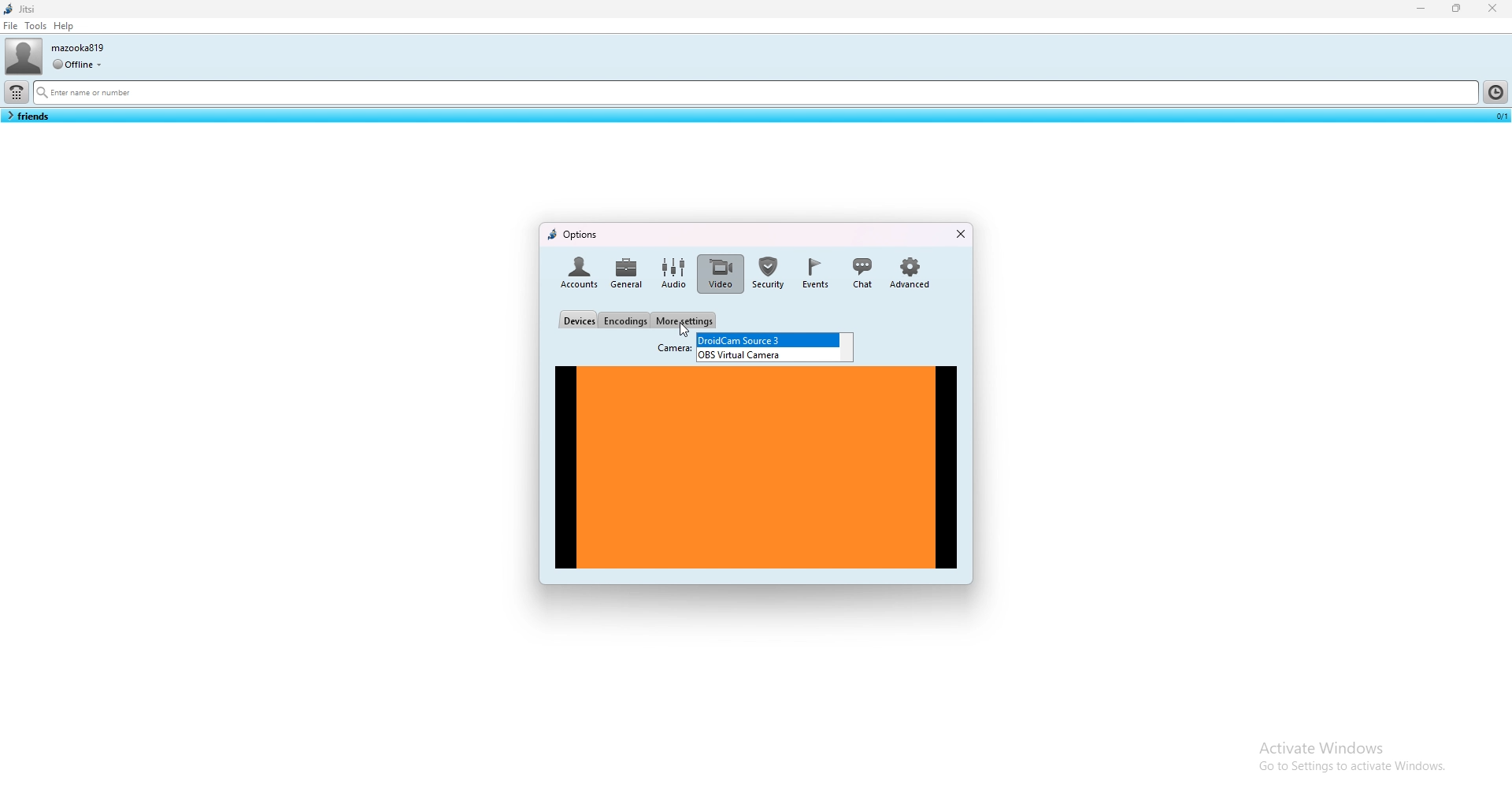 The height and width of the screenshot is (811, 1512). Describe the element at coordinates (625, 273) in the screenshot. I see `general` at that location.